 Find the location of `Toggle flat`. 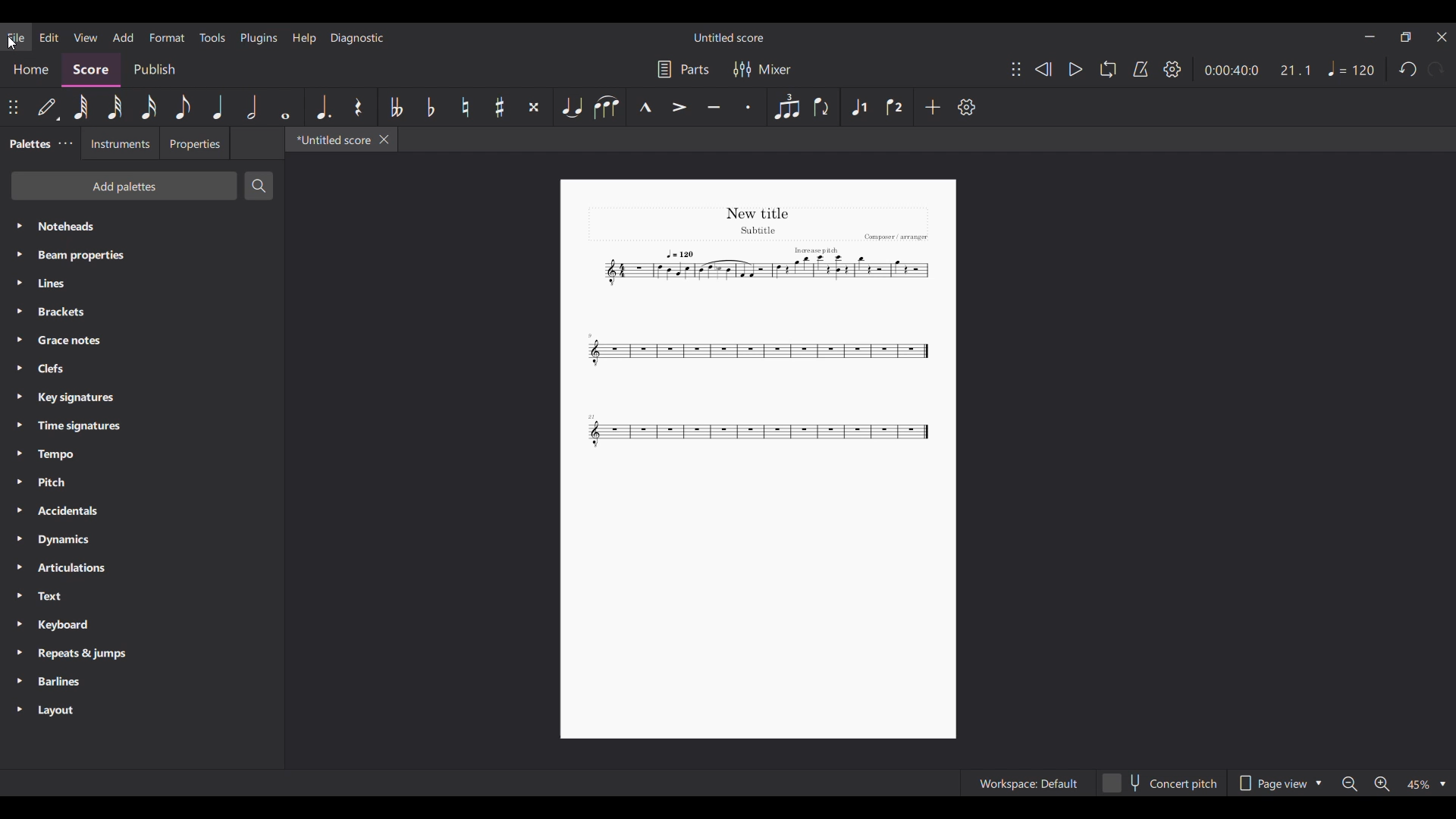

Toggle flat is located at coordinates (431, 107).